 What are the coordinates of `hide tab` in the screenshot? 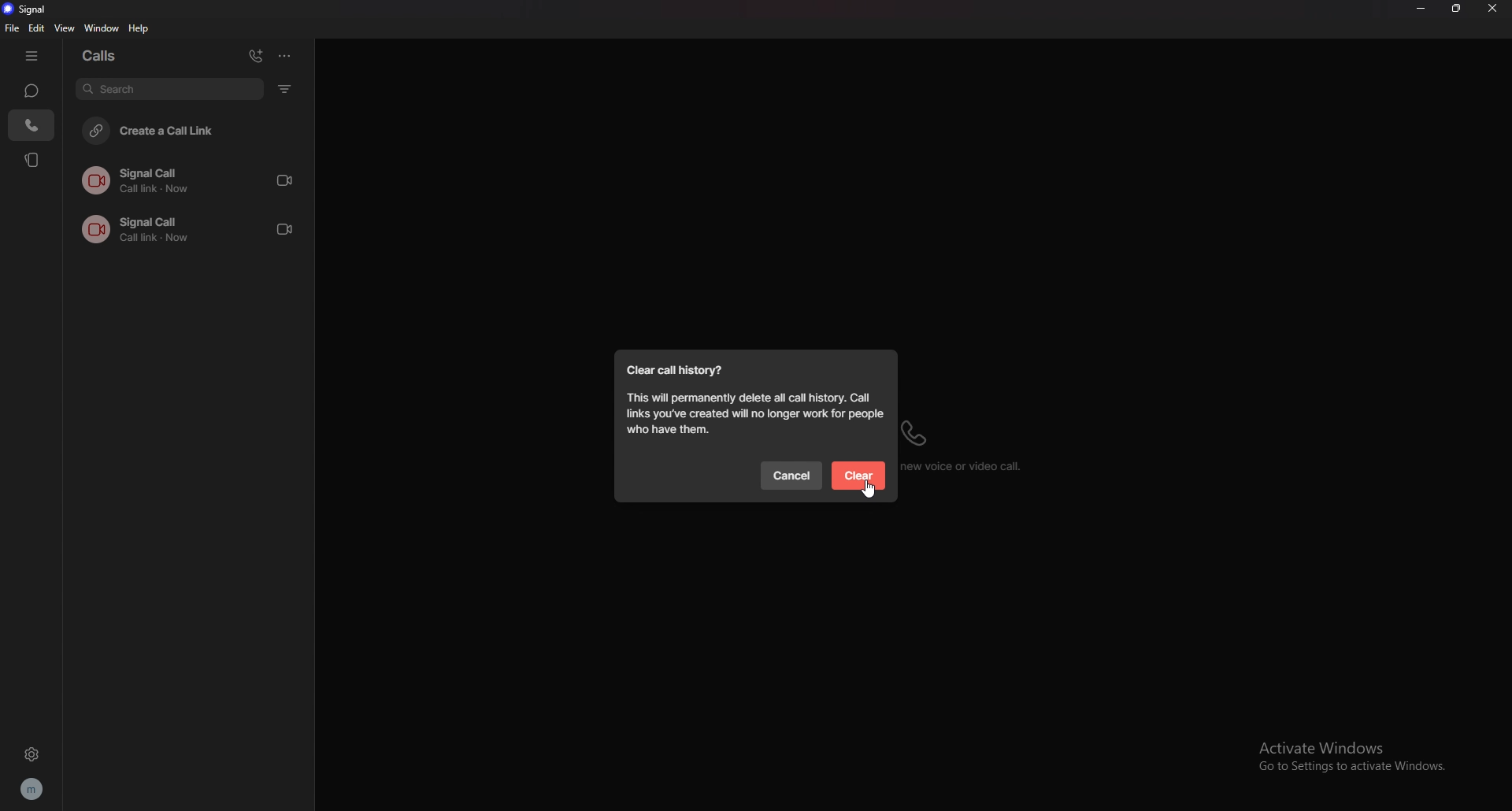 It's located at (32, 54).